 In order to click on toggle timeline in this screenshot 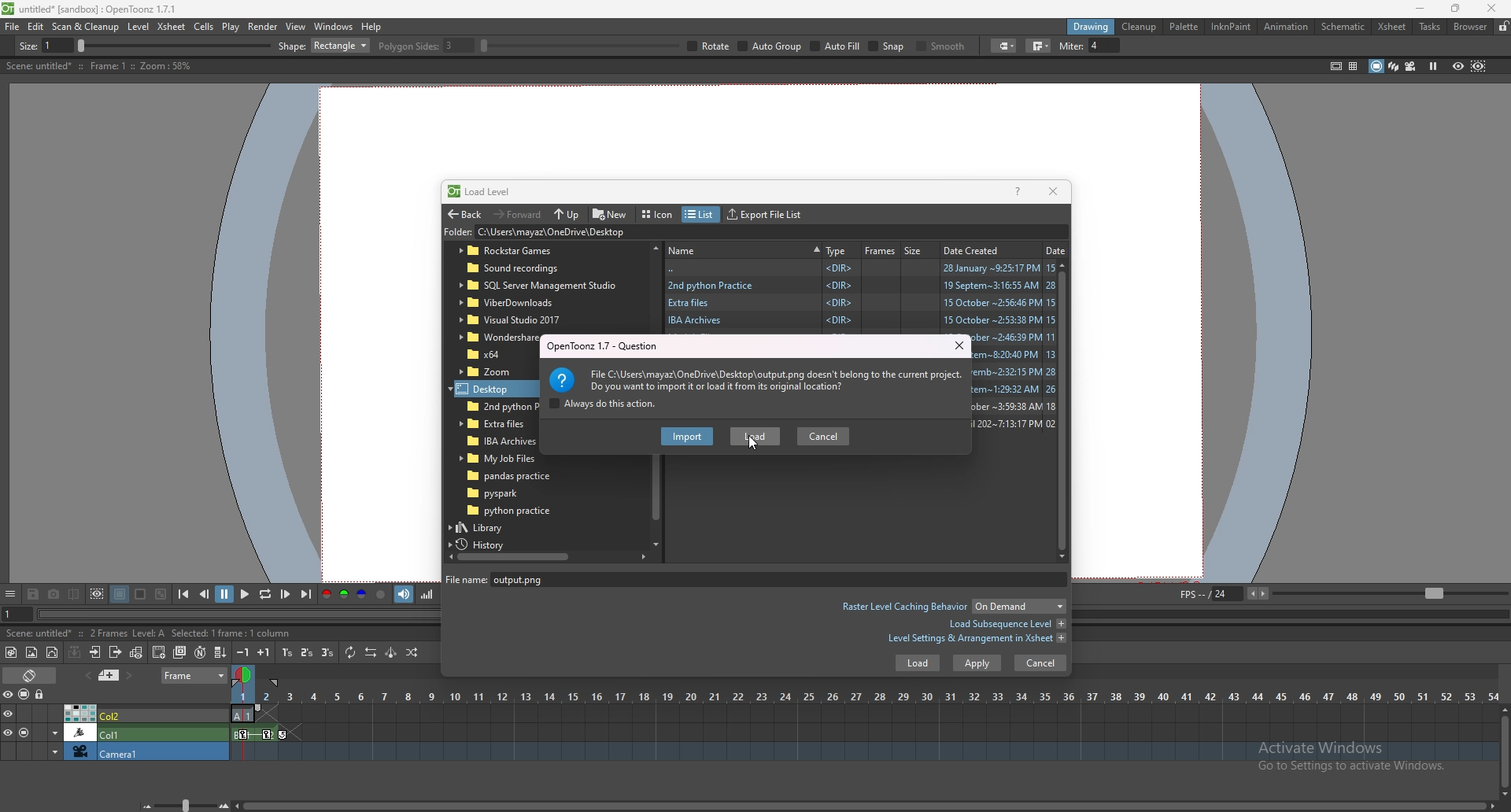, I will do `click(31, 674)`.